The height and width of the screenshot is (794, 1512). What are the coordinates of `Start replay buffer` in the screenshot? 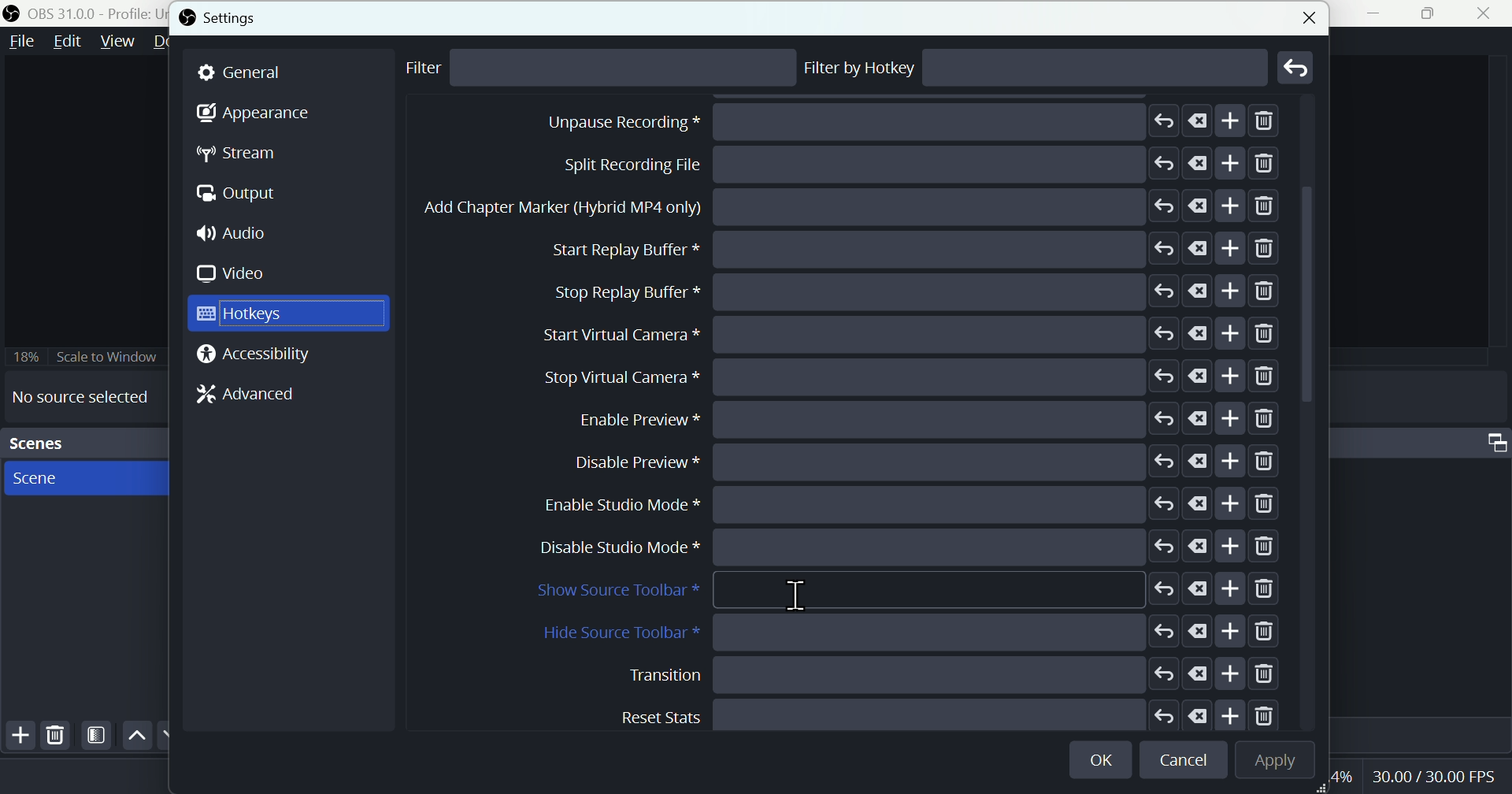 It's located at (915, 417).